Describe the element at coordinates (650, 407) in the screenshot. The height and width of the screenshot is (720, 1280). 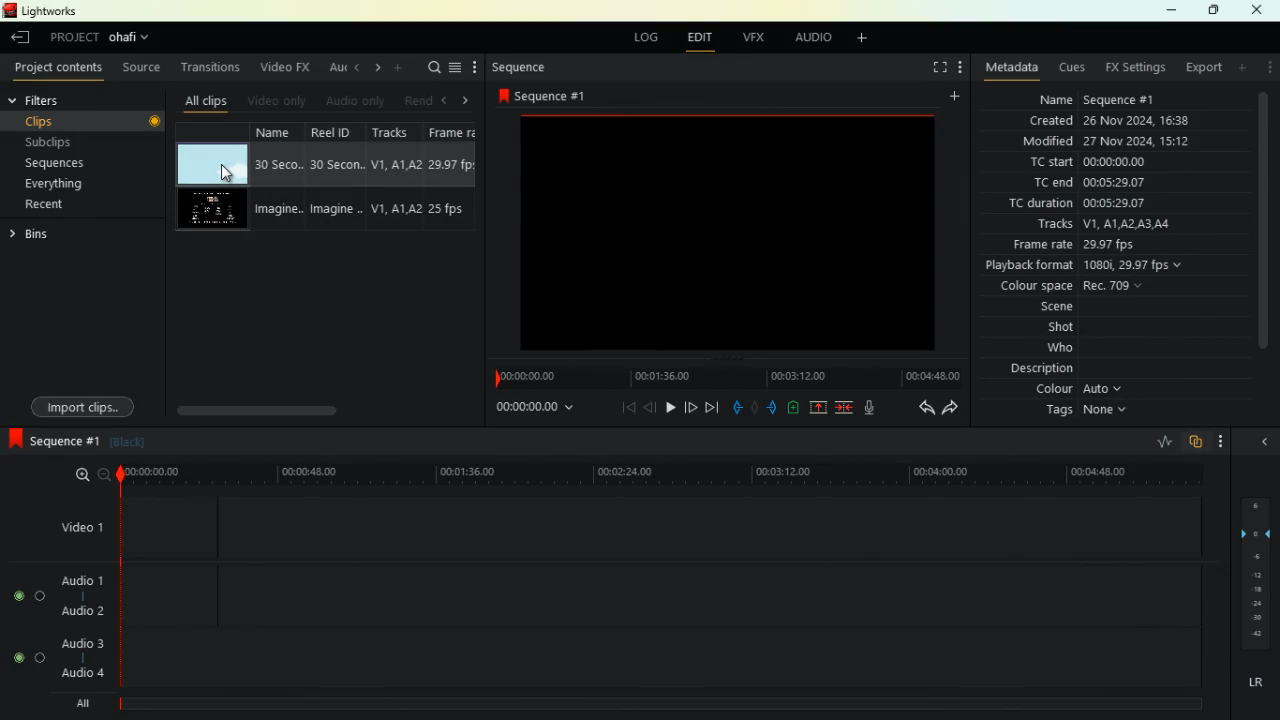
I see `back` at that location.